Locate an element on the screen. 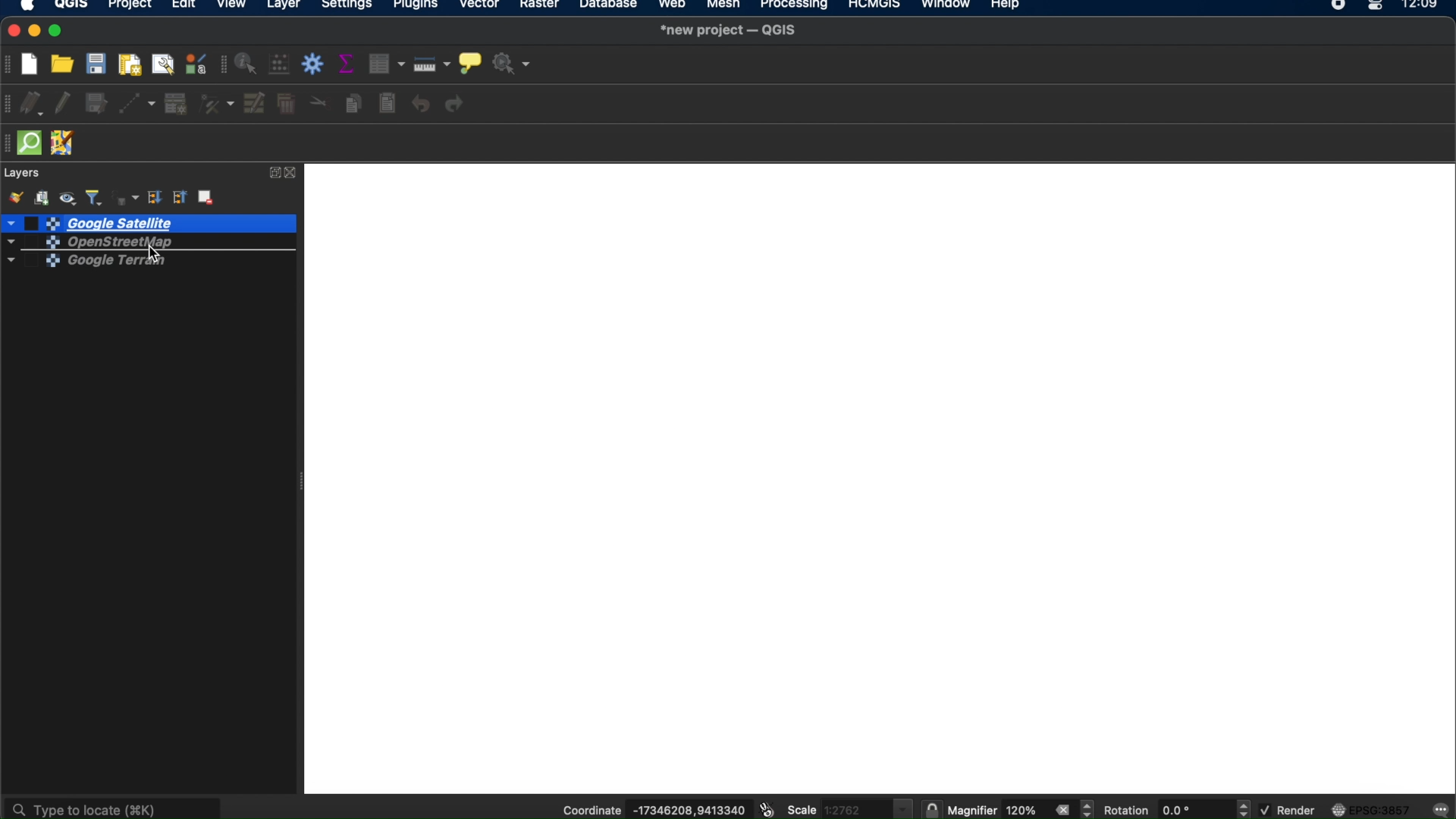 Image resolution: width=1456 pixels, height=819 pixels. recorder icon is located at coordinates (1339, 6).